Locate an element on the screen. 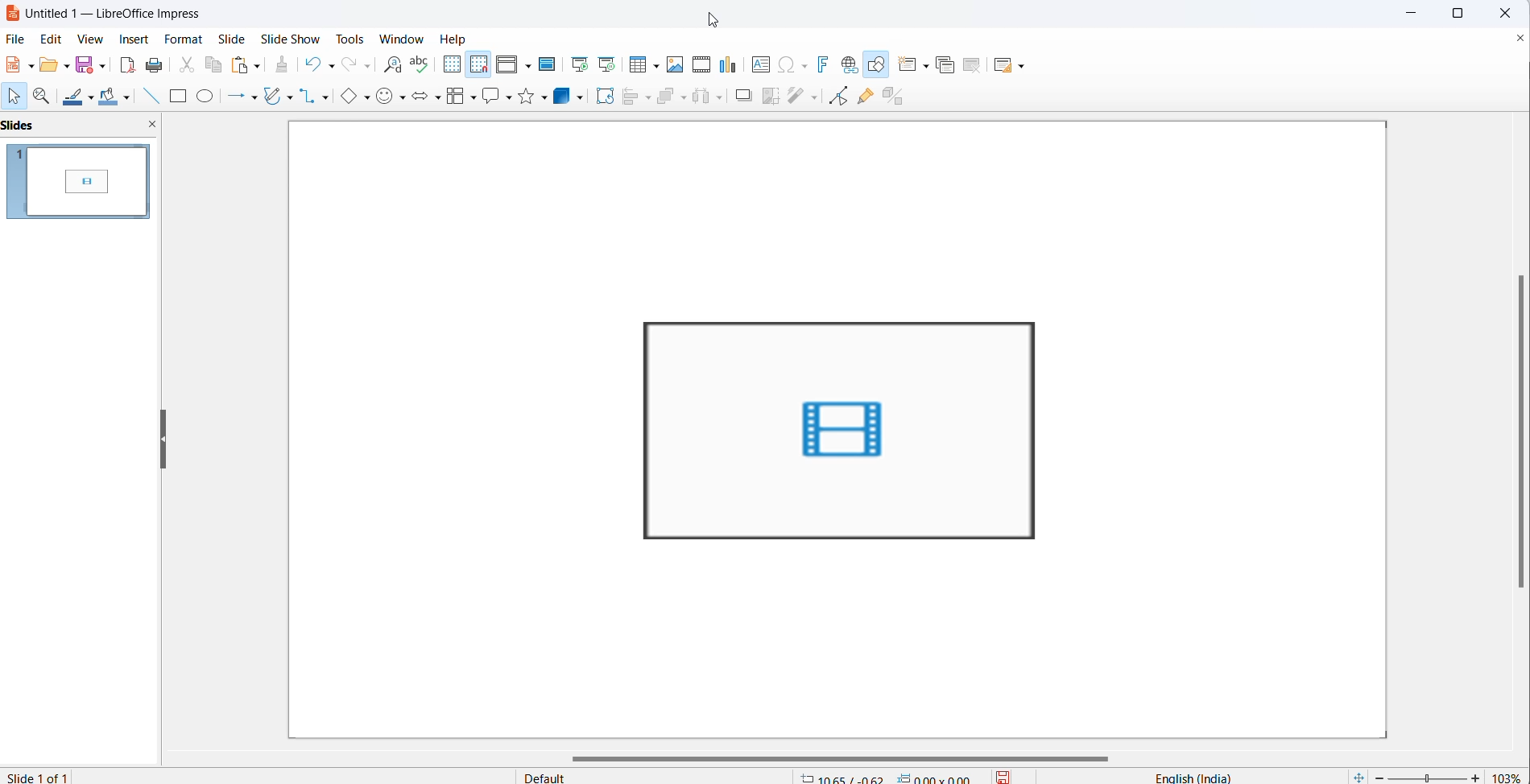  crop image is located at coordinates (772, 97).